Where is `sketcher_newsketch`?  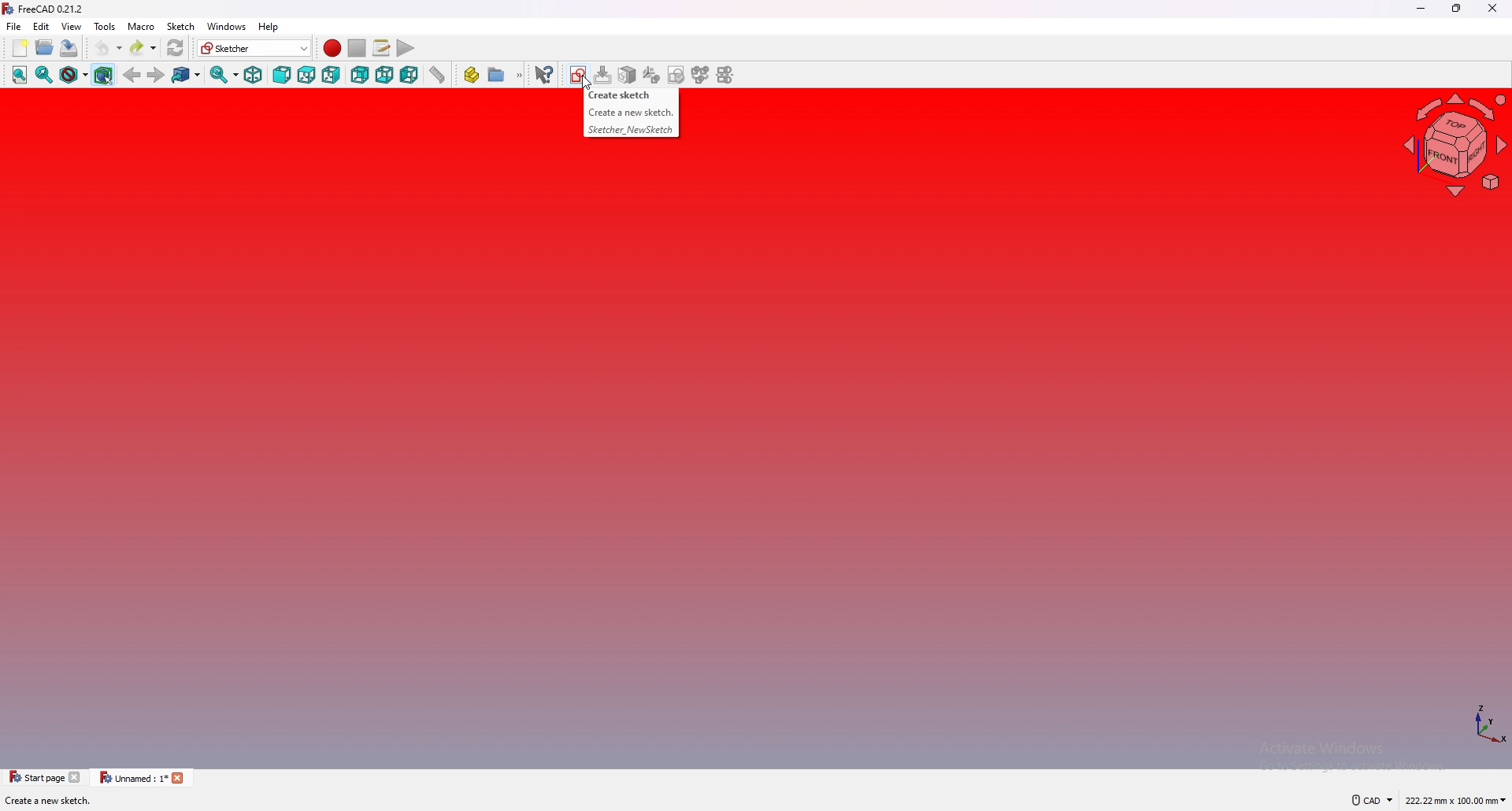
sketcher_newsketch is located at coordinates (631, 131).